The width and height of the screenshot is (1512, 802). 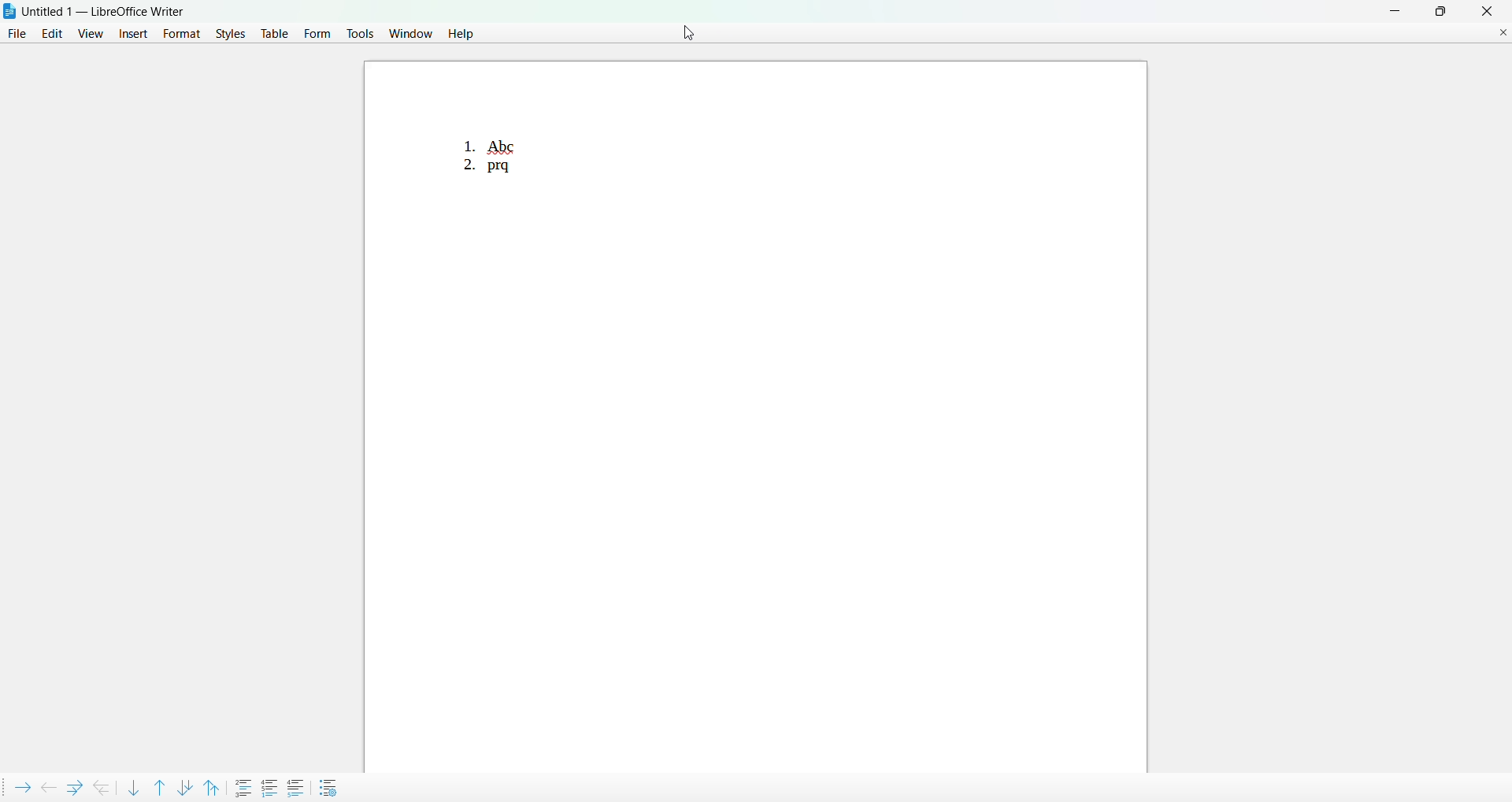 I want to click on close, so click(x=1486, y=11).